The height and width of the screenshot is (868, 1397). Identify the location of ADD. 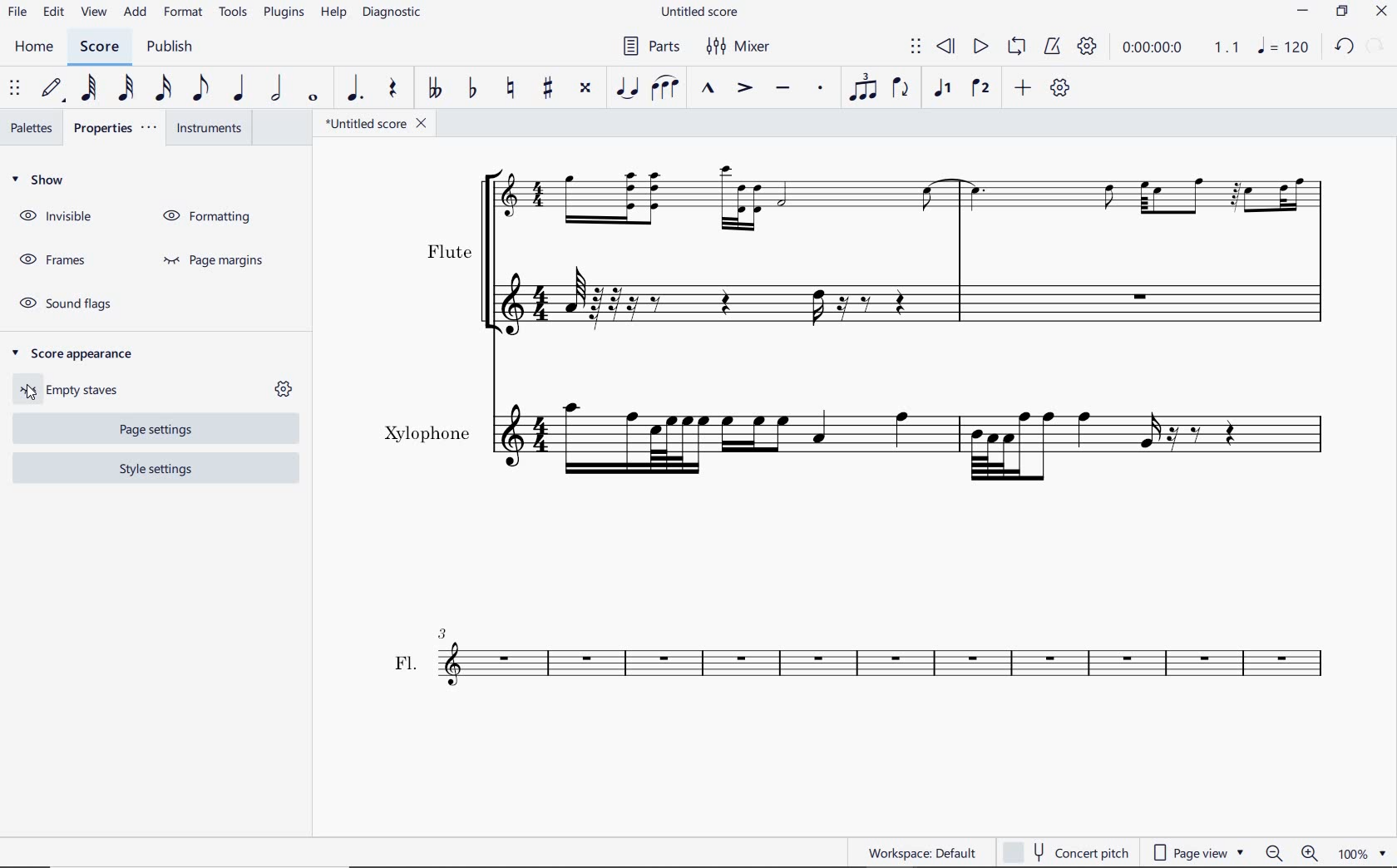
(136, 13).